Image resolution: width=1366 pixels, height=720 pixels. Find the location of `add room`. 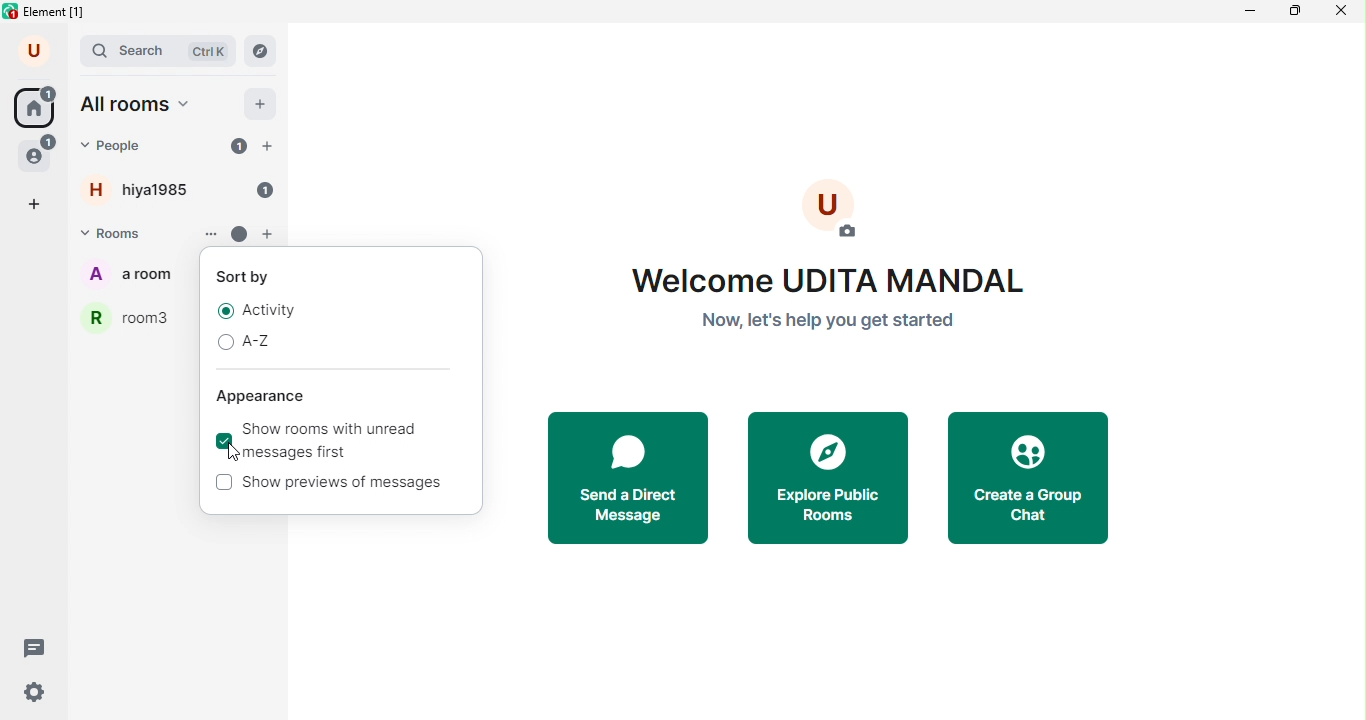

add room is located at coordinates (270, 236).